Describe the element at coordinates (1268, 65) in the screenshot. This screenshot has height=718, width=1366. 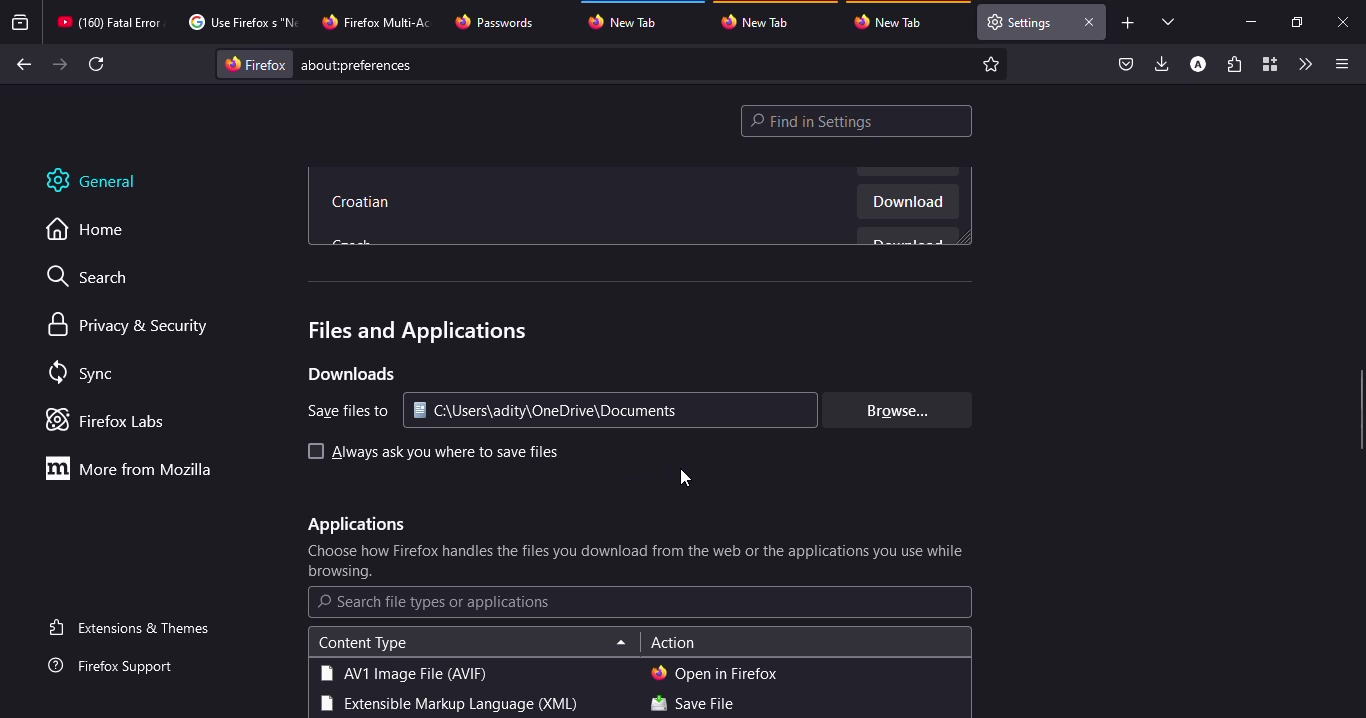
I see `container` at that location.